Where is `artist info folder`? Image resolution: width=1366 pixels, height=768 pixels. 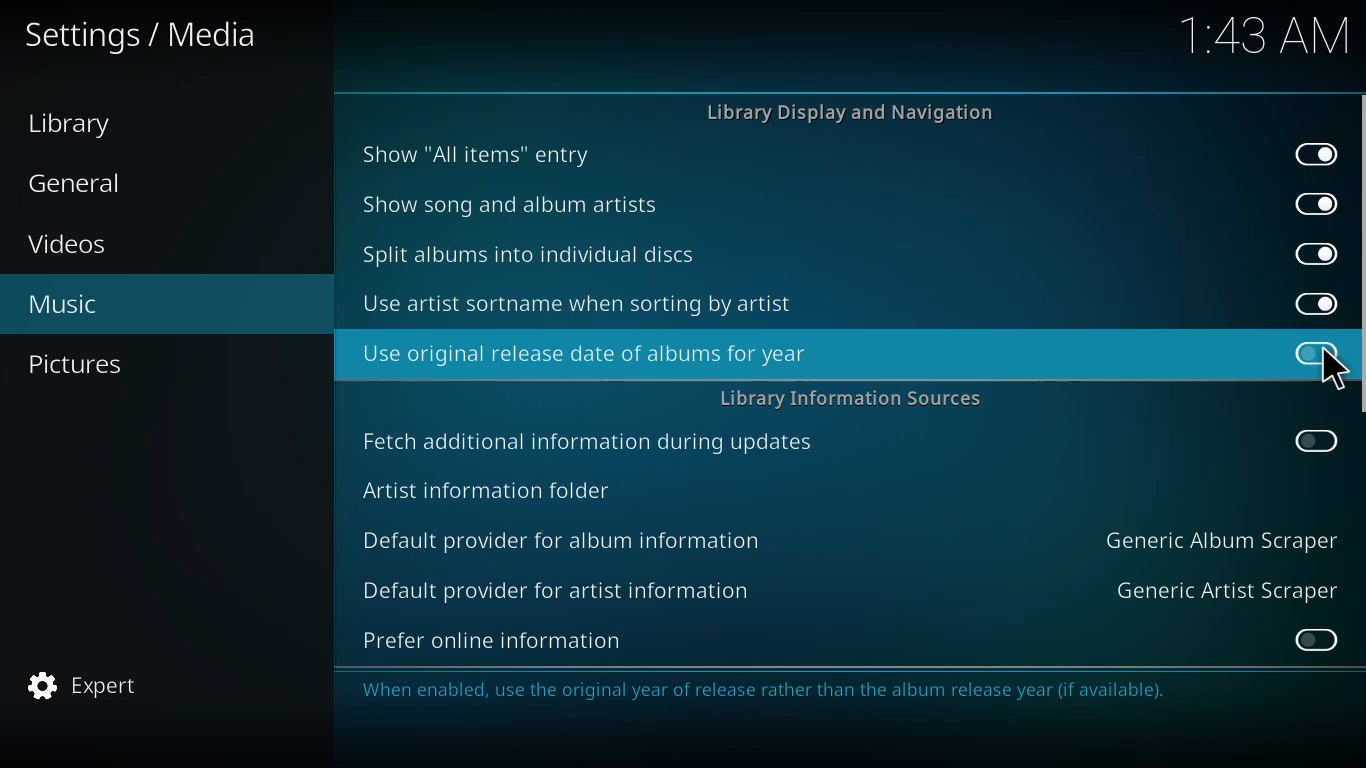 artist info folder is located at coordinates (487, 489).